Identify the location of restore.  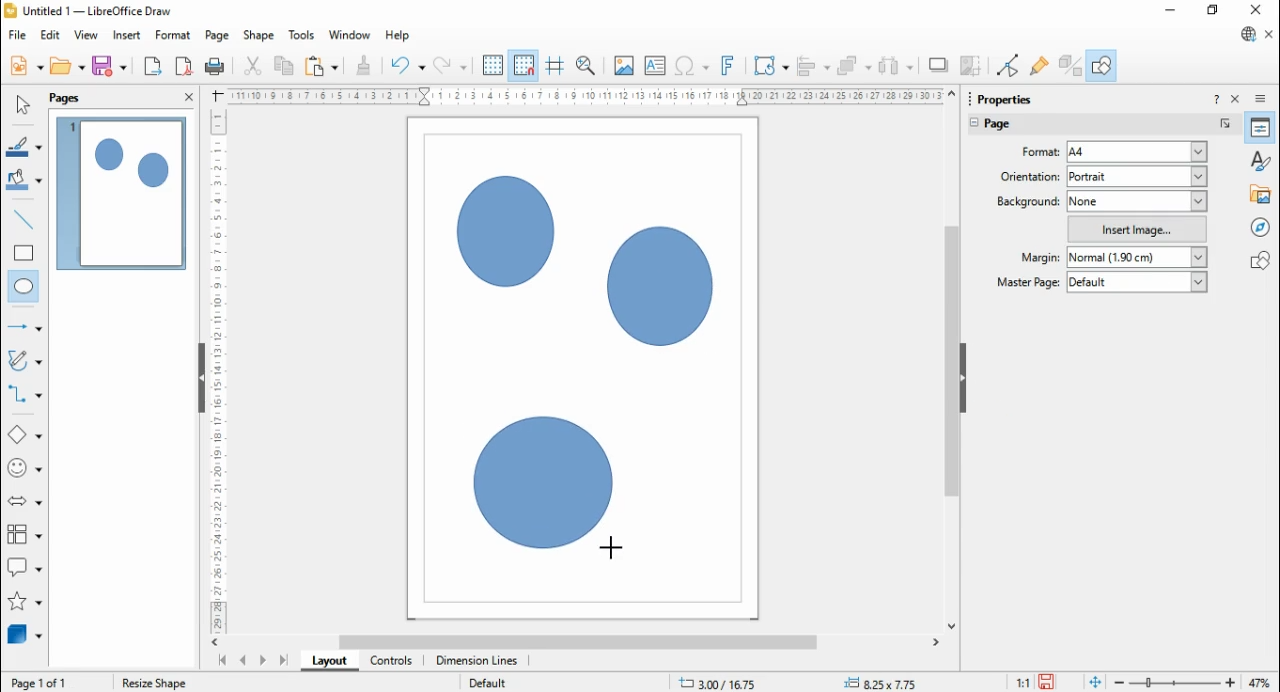
(1214, 11).